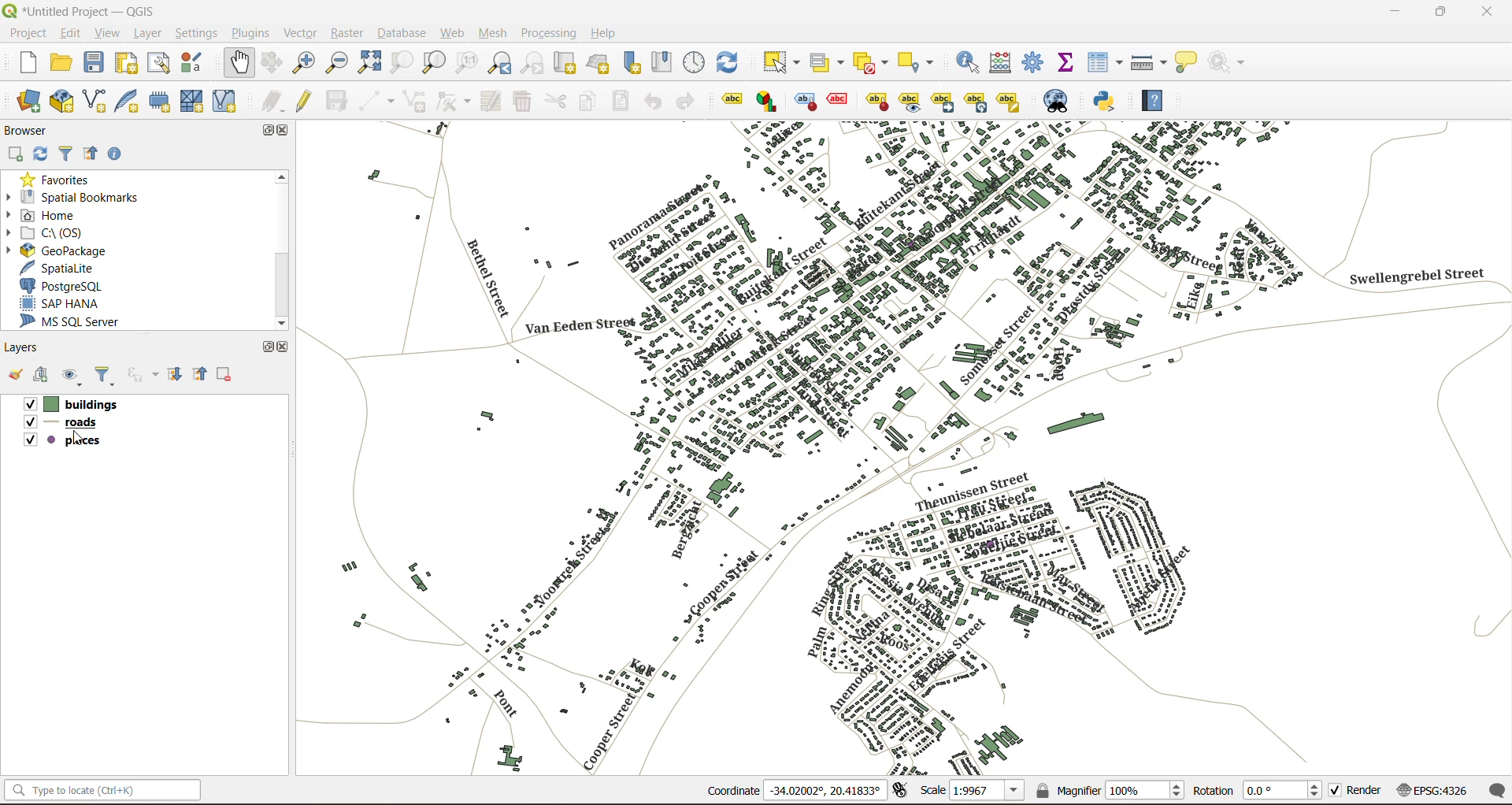 The image size is (1512, 805). I want to click on save edits, so click(340, 101).